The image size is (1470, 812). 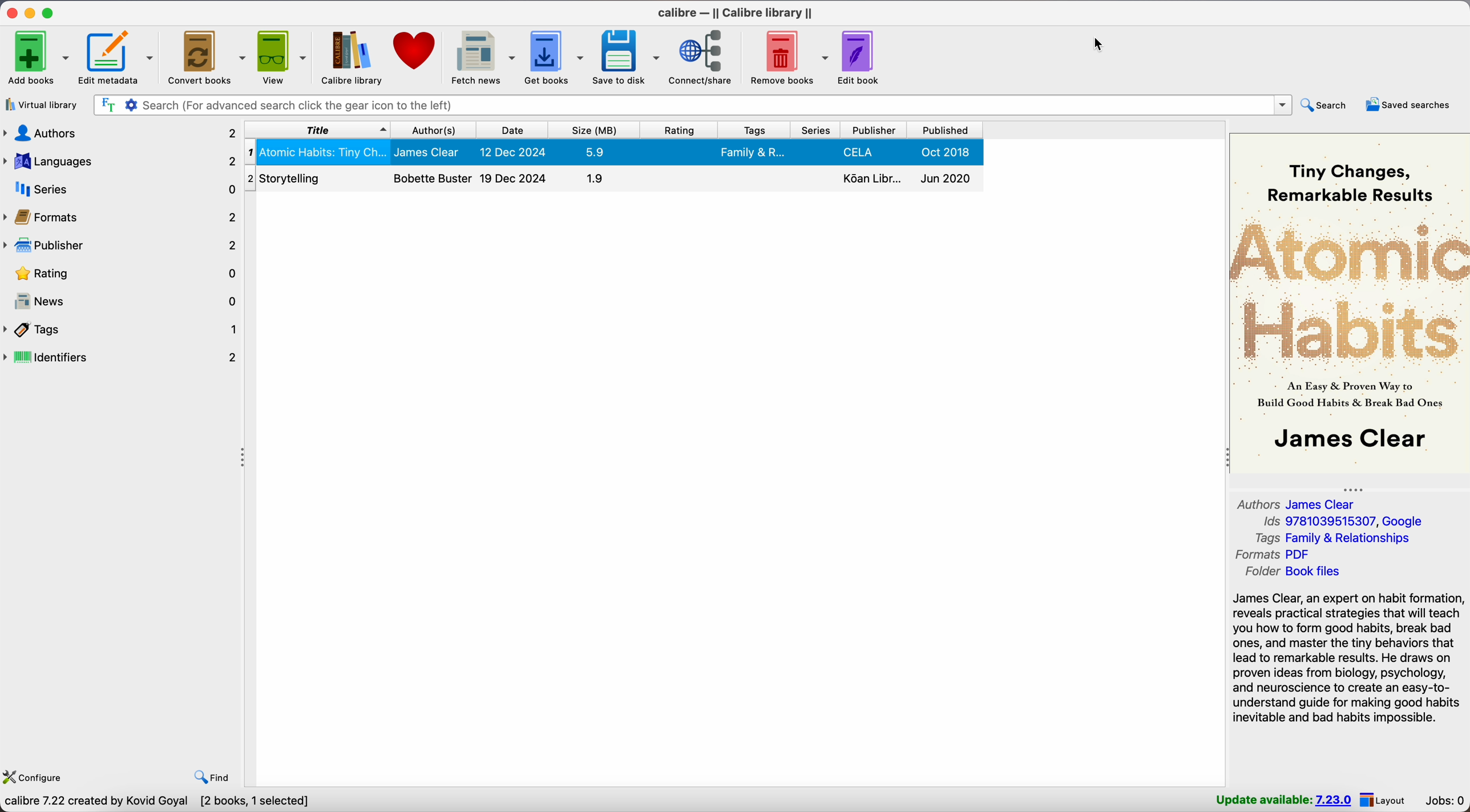 I want to click on remove books, so click(x=788, y=57).